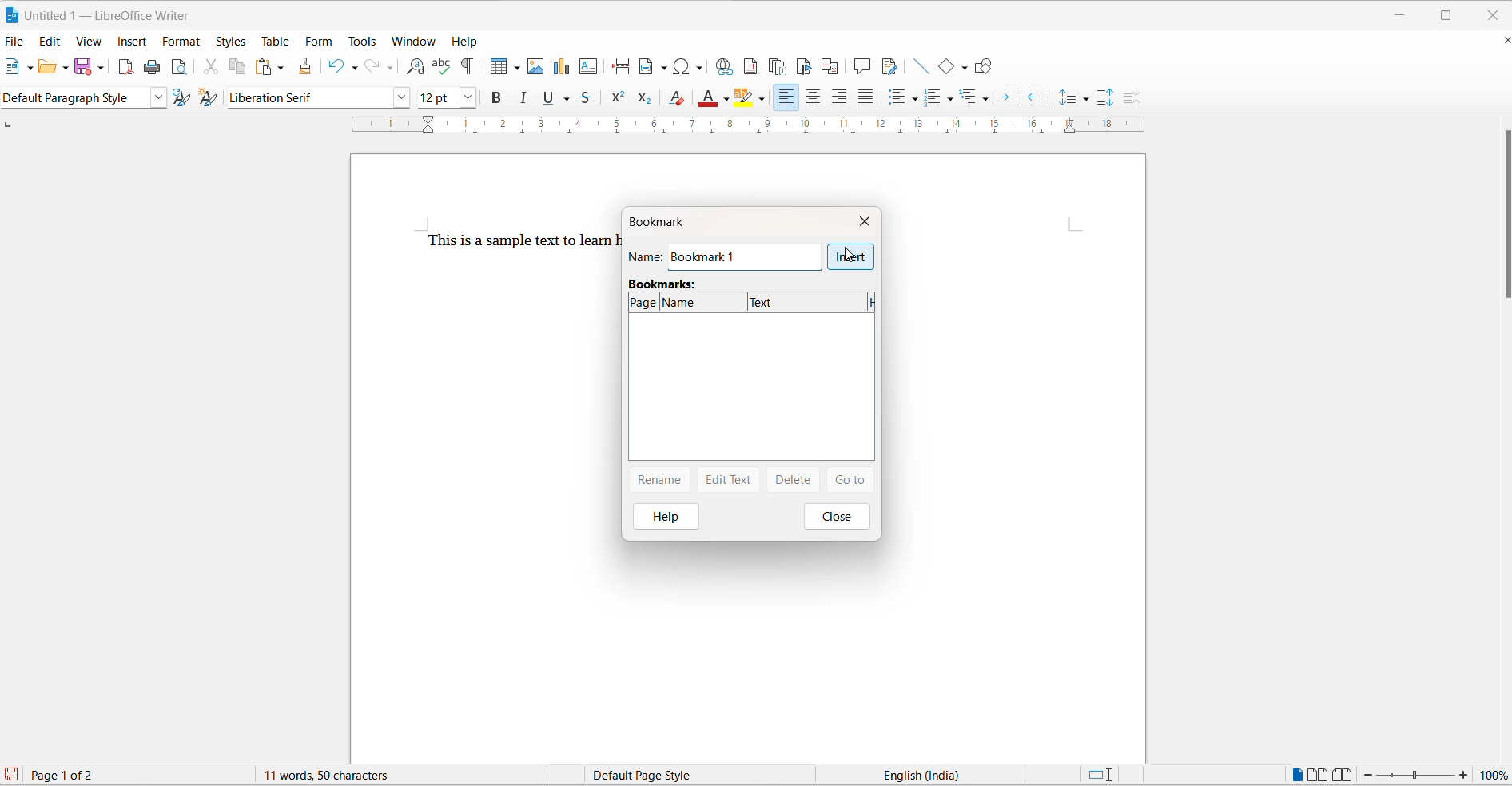 The height and width of the screenshot is (786, 1512). I want to click on insert footnote, so click(751, 66).